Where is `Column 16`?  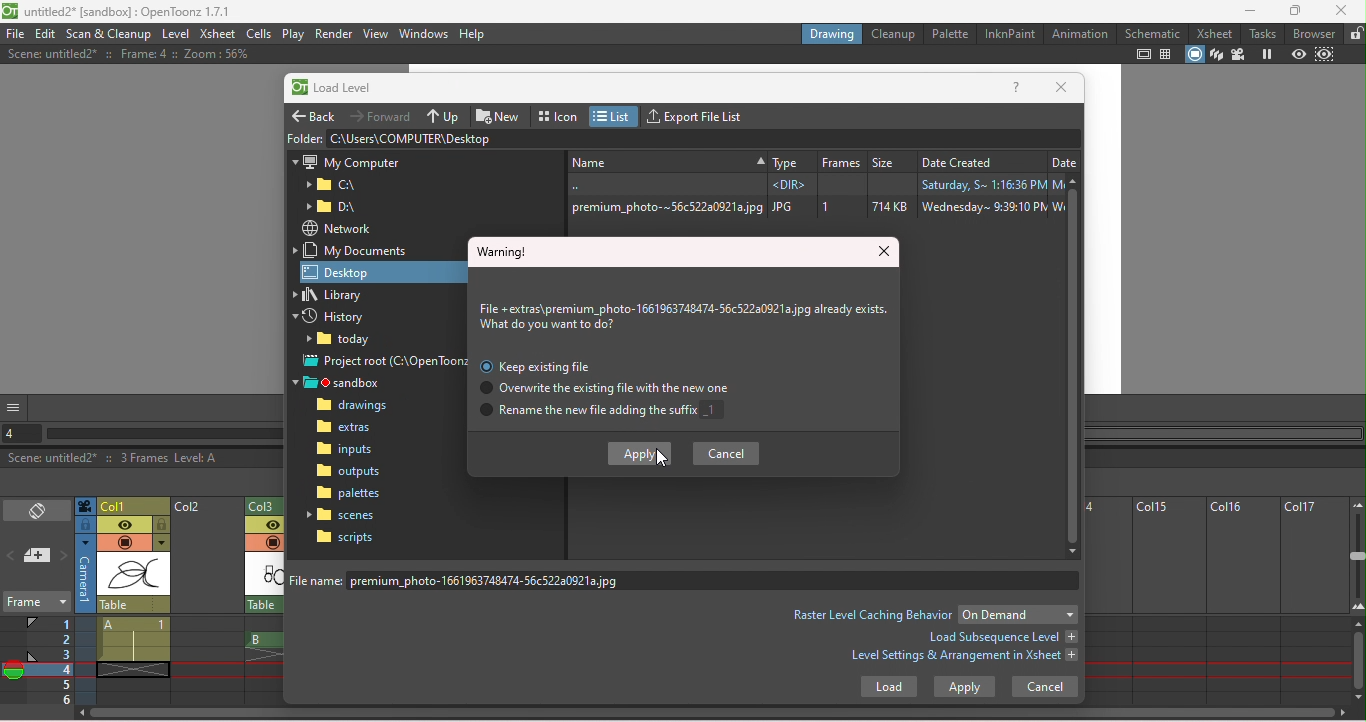 Column 16 is located at coordinates (1241, 601).